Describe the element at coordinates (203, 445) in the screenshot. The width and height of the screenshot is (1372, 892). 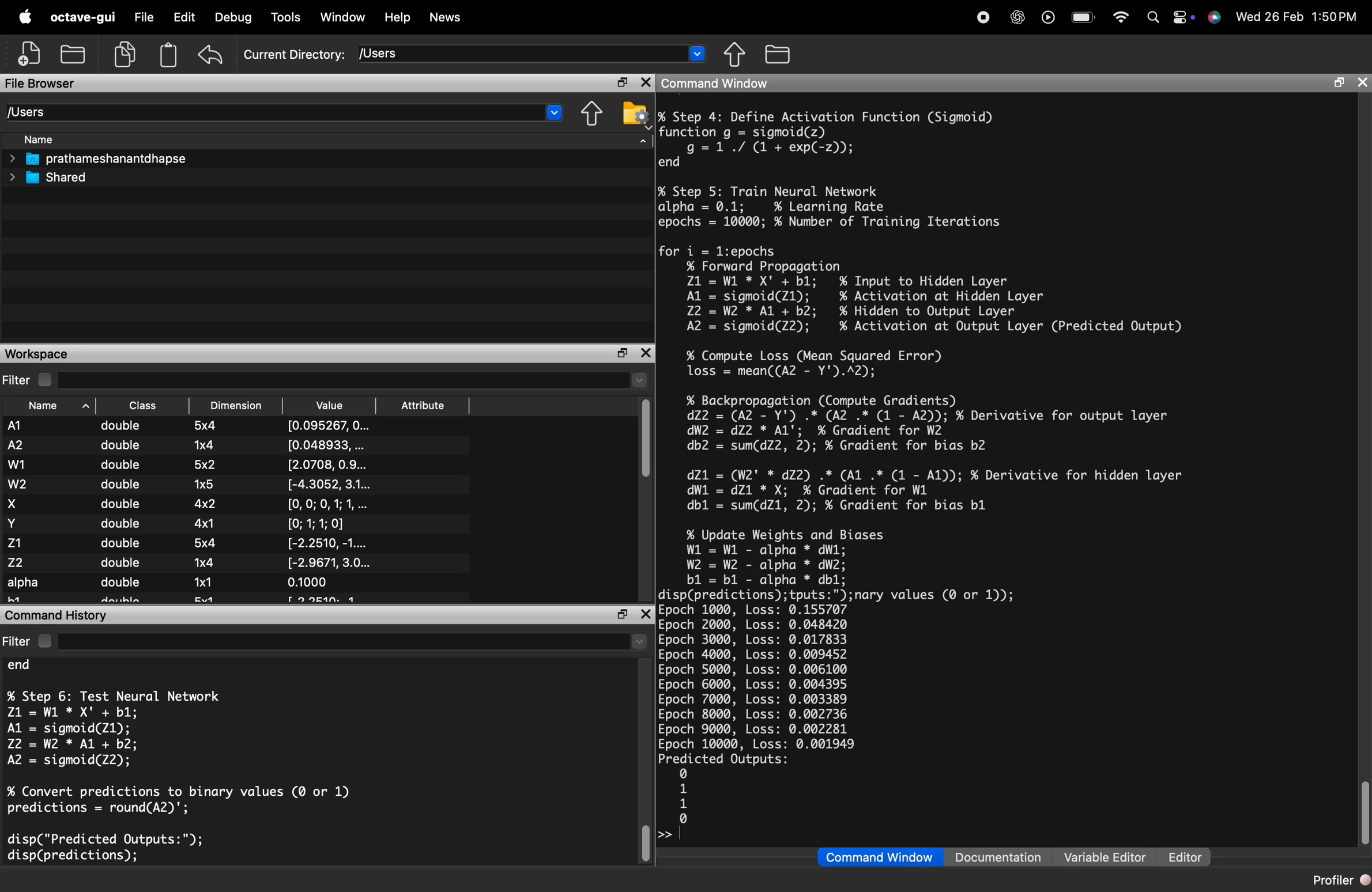
I see `1x4` at that location.